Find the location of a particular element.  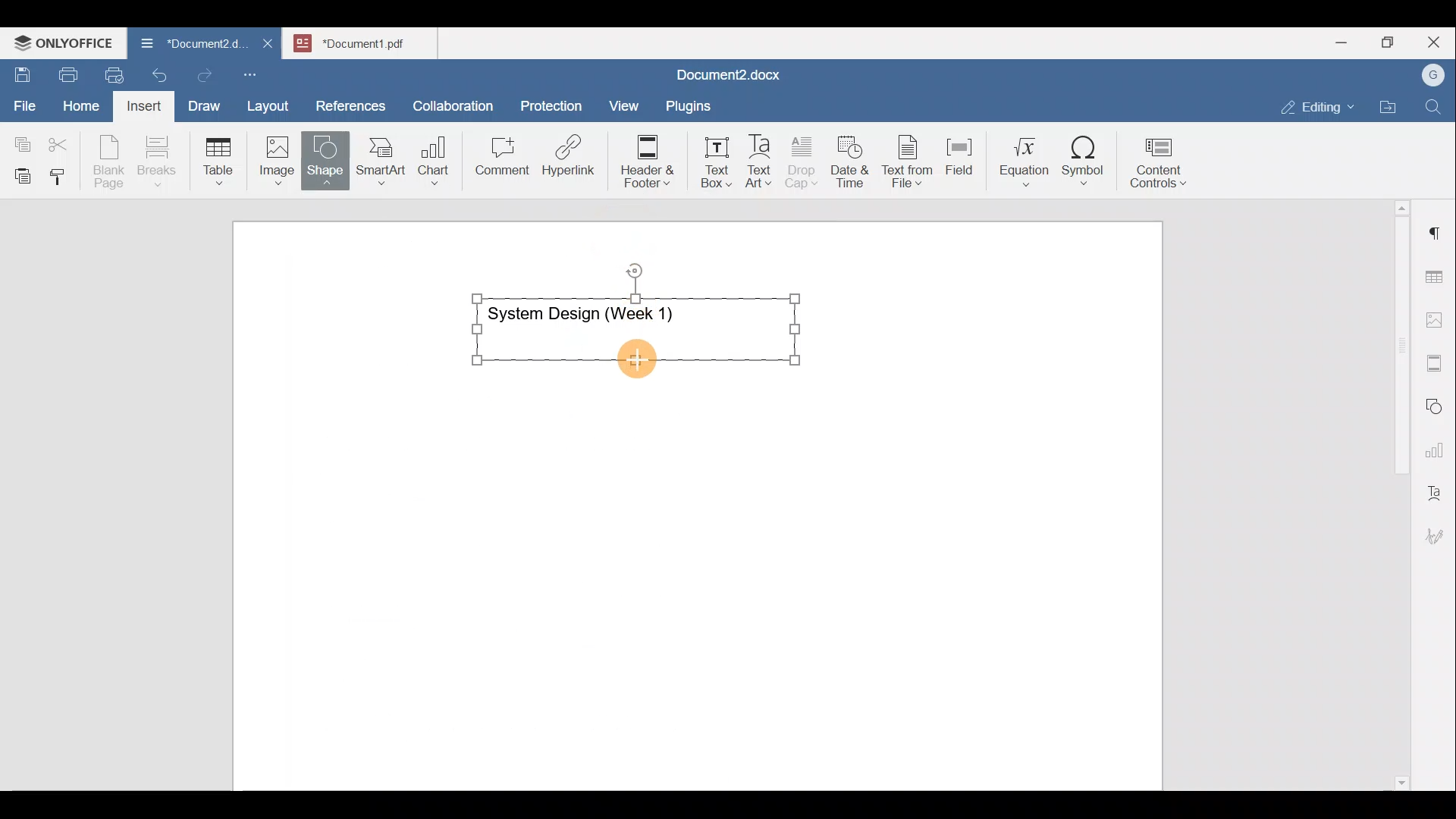

Editing mode is located at coordinates (1318, 104).